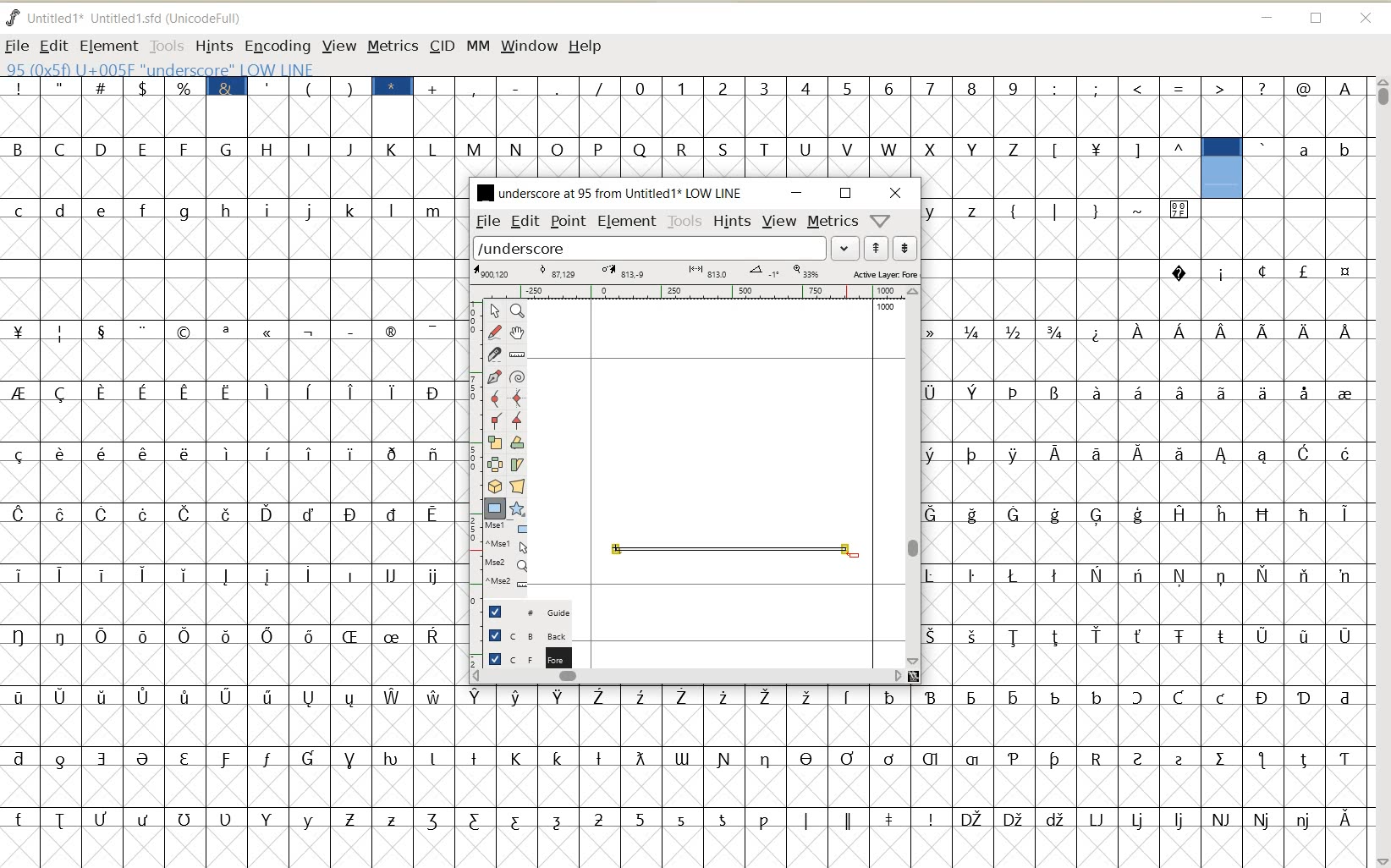  What do you see at coordinates (229, 461) in the screenshot?
I see `GLYPHY CHARACTERS` at bounding box center [229, 461].